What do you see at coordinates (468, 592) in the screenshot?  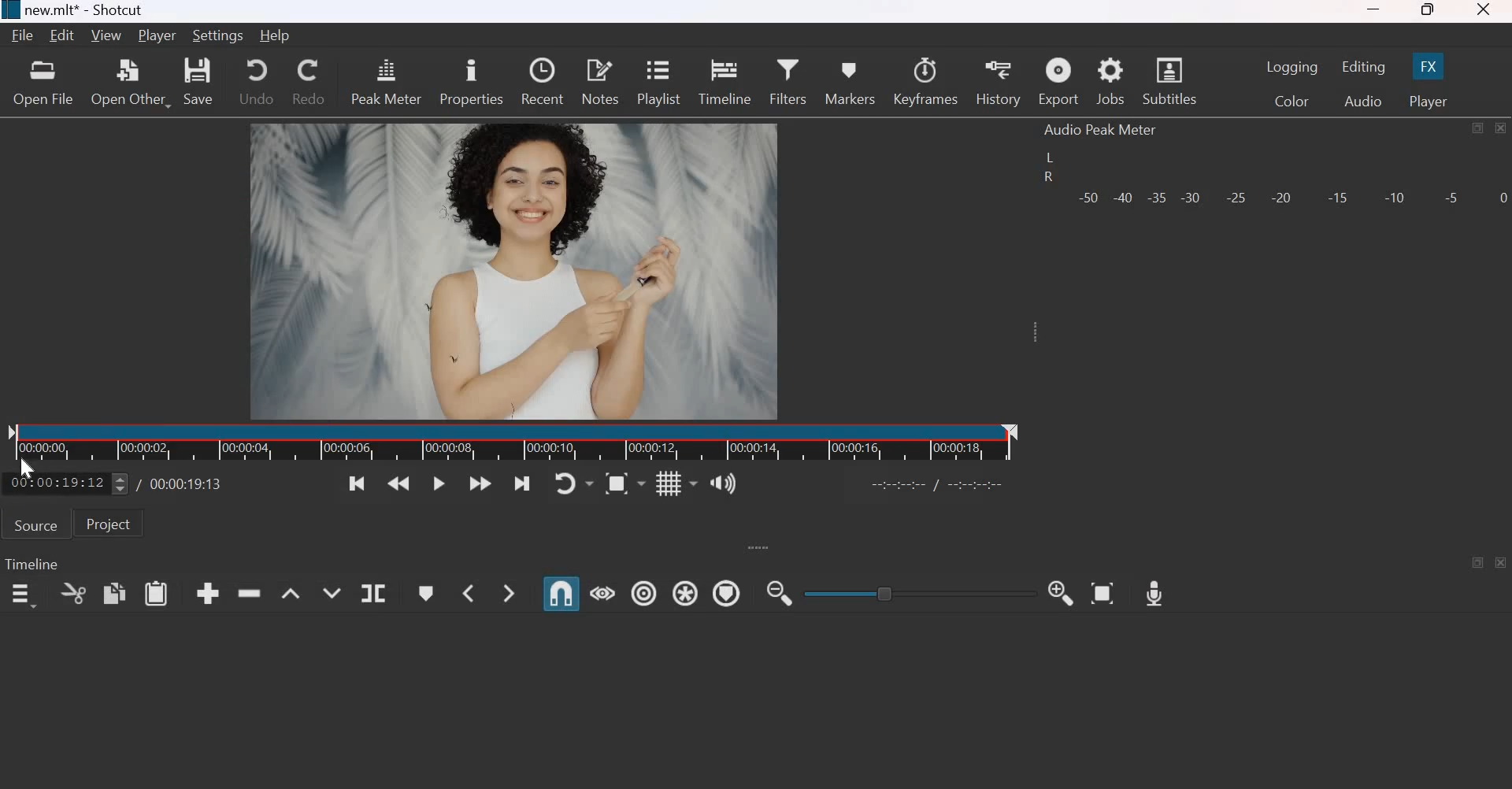 I see `Previous Marker` at bounding box center [468, 592].